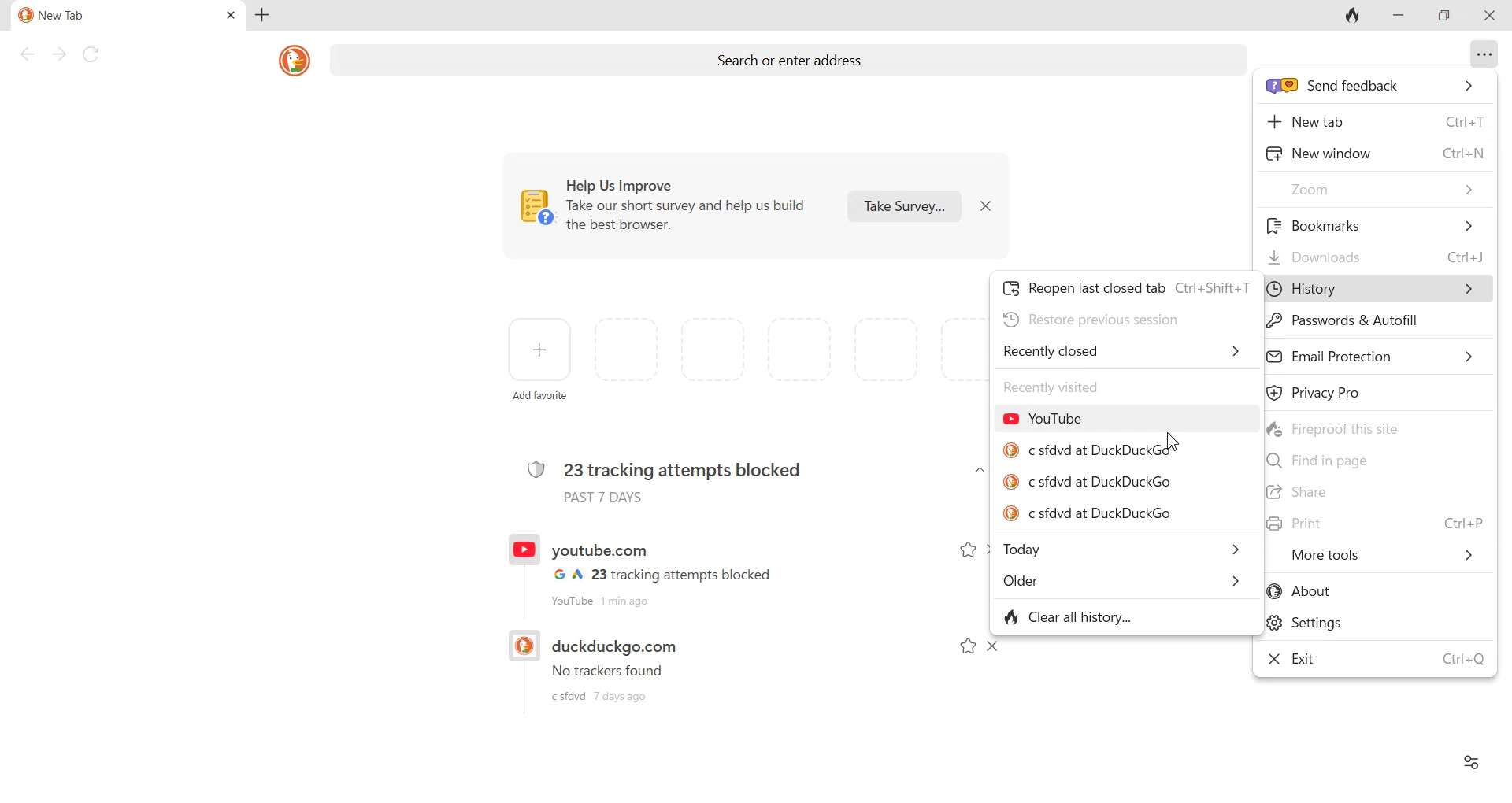 The width and height of the screenshot is (1512, 803). What do you see at coordinates (1373, 289) in the screenshot?
I see `History` at bounding box center [1373, 289].